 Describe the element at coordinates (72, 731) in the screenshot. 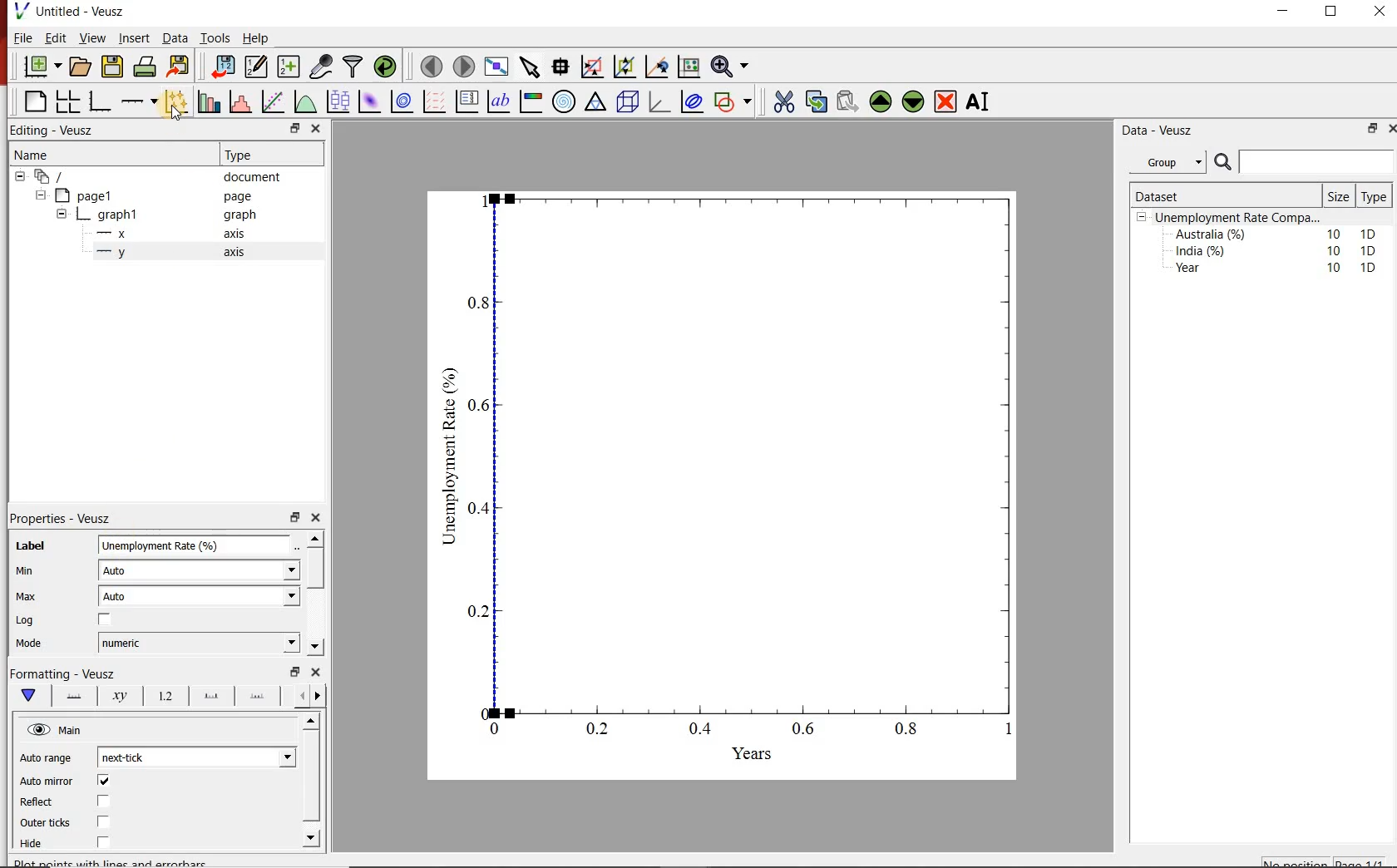

I see `Main` at that location.